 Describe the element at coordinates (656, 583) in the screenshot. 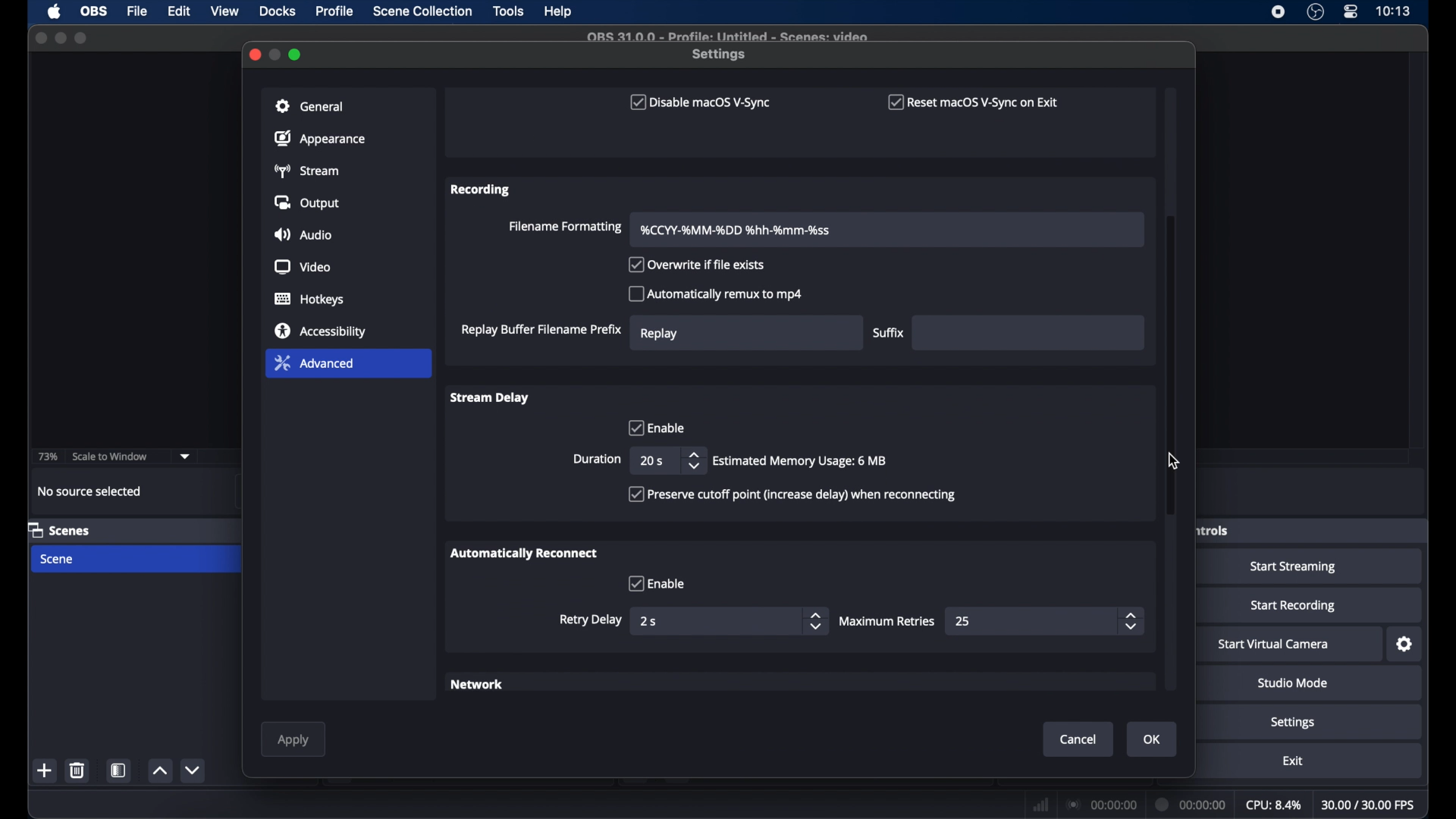

I see `checkbox` at that location.